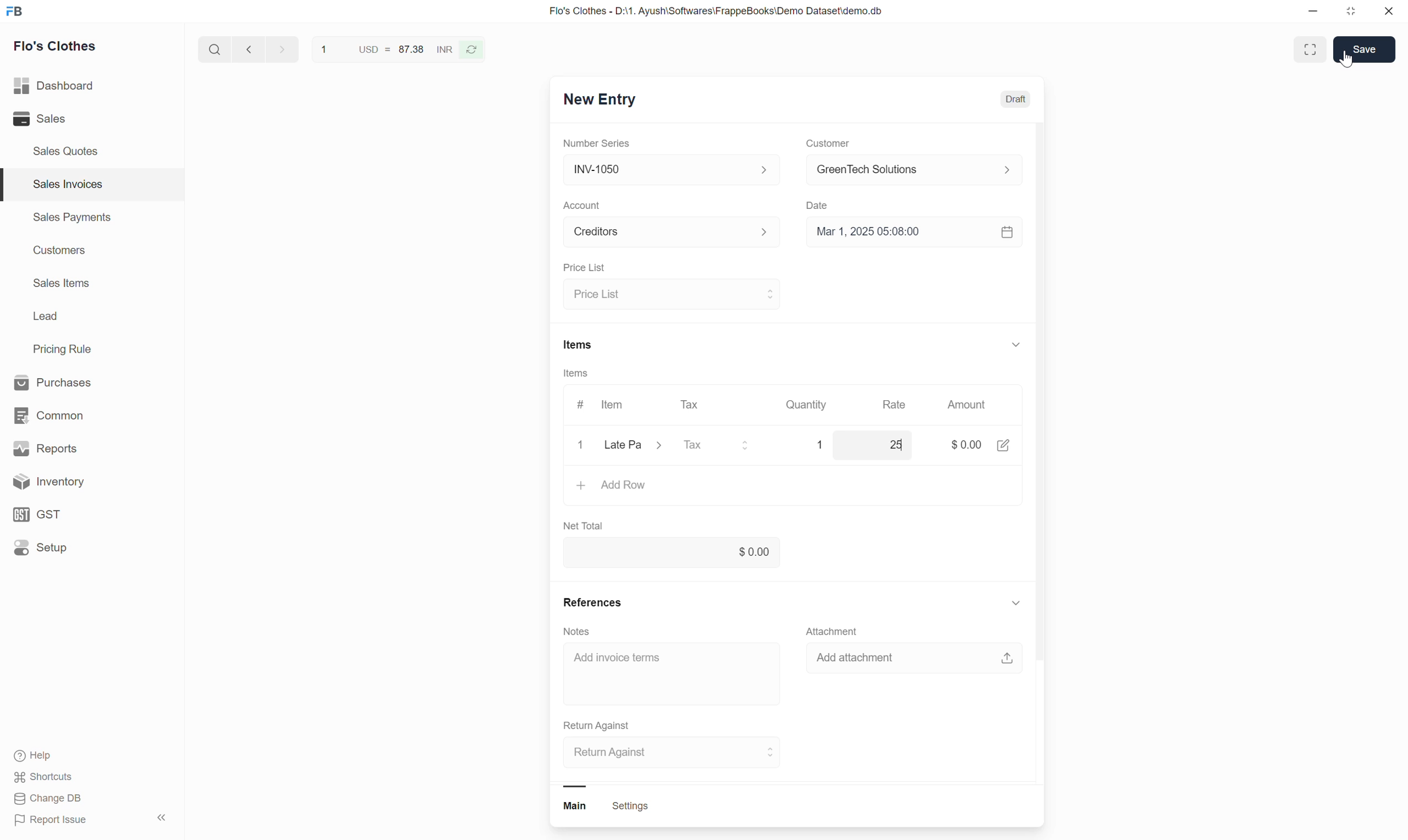 The height and width of the screenshot is (840, 1408). What do you see at coordinates (671, 294) in the screenshot?
I see `select price list ` at bounding box center [671, 294].